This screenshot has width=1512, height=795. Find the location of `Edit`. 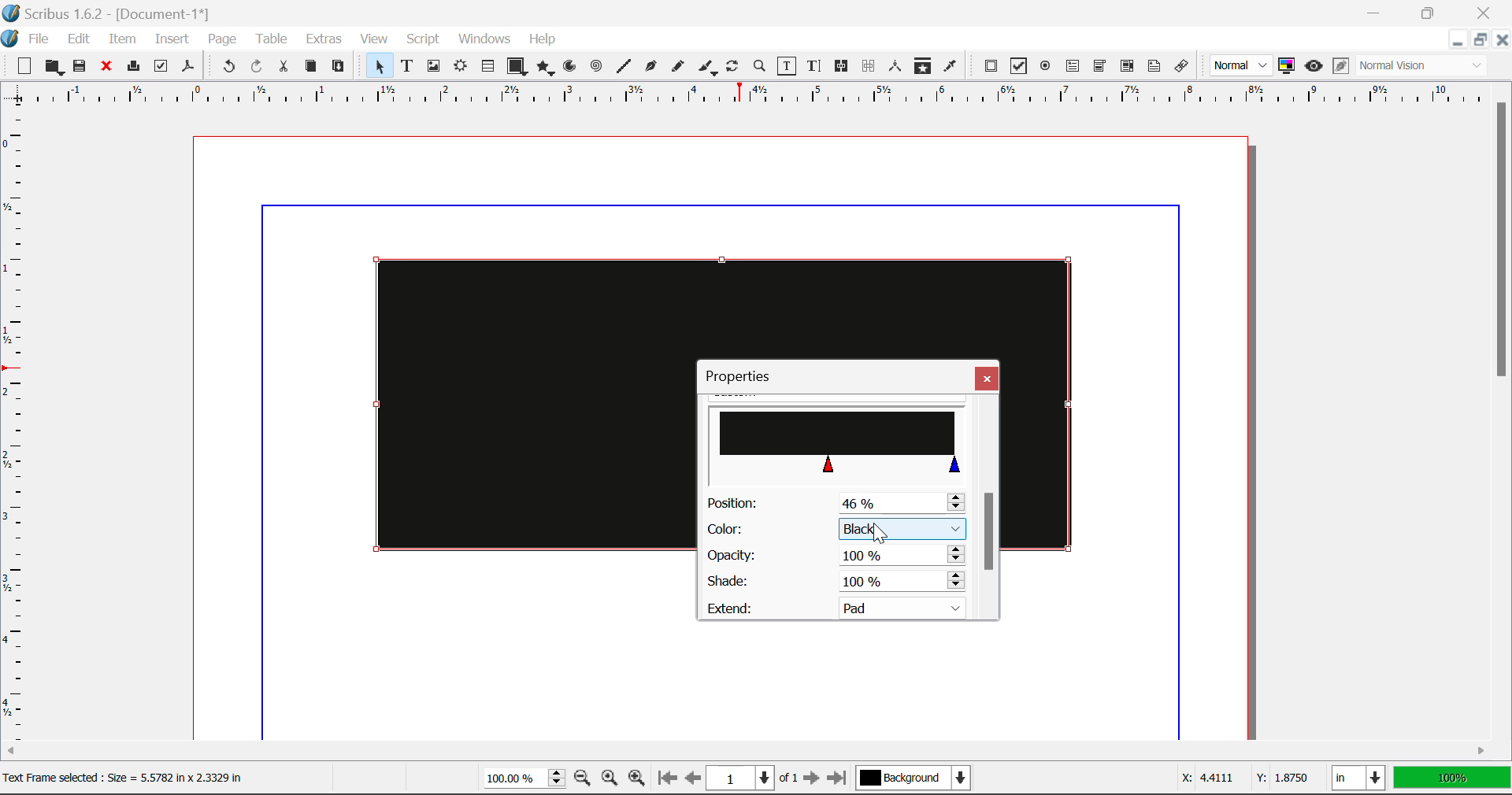

Edit is located at coordinates (79, 39).